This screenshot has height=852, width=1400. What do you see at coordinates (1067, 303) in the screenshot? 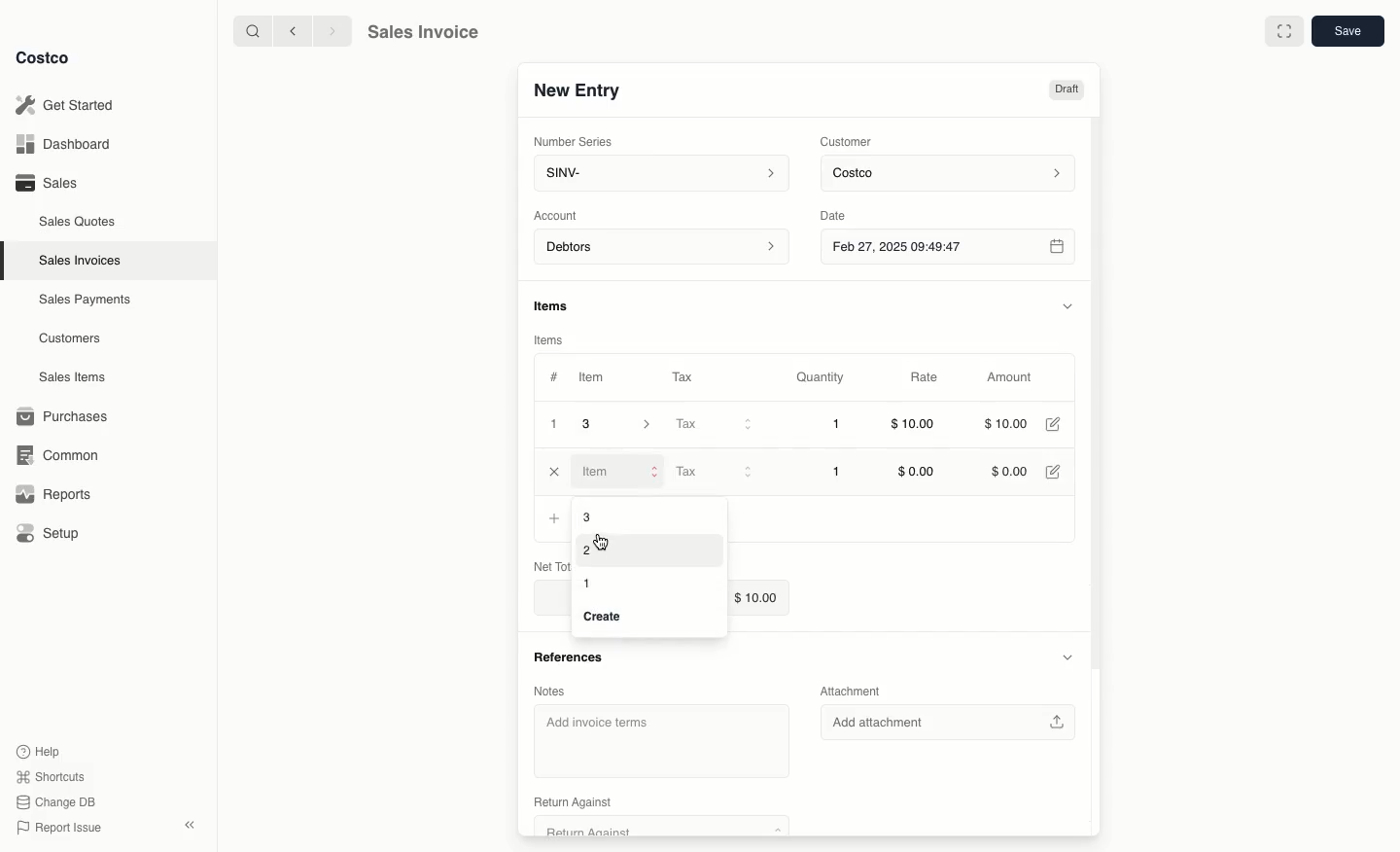
I see `Hide` at bounding box center [1067, 303].